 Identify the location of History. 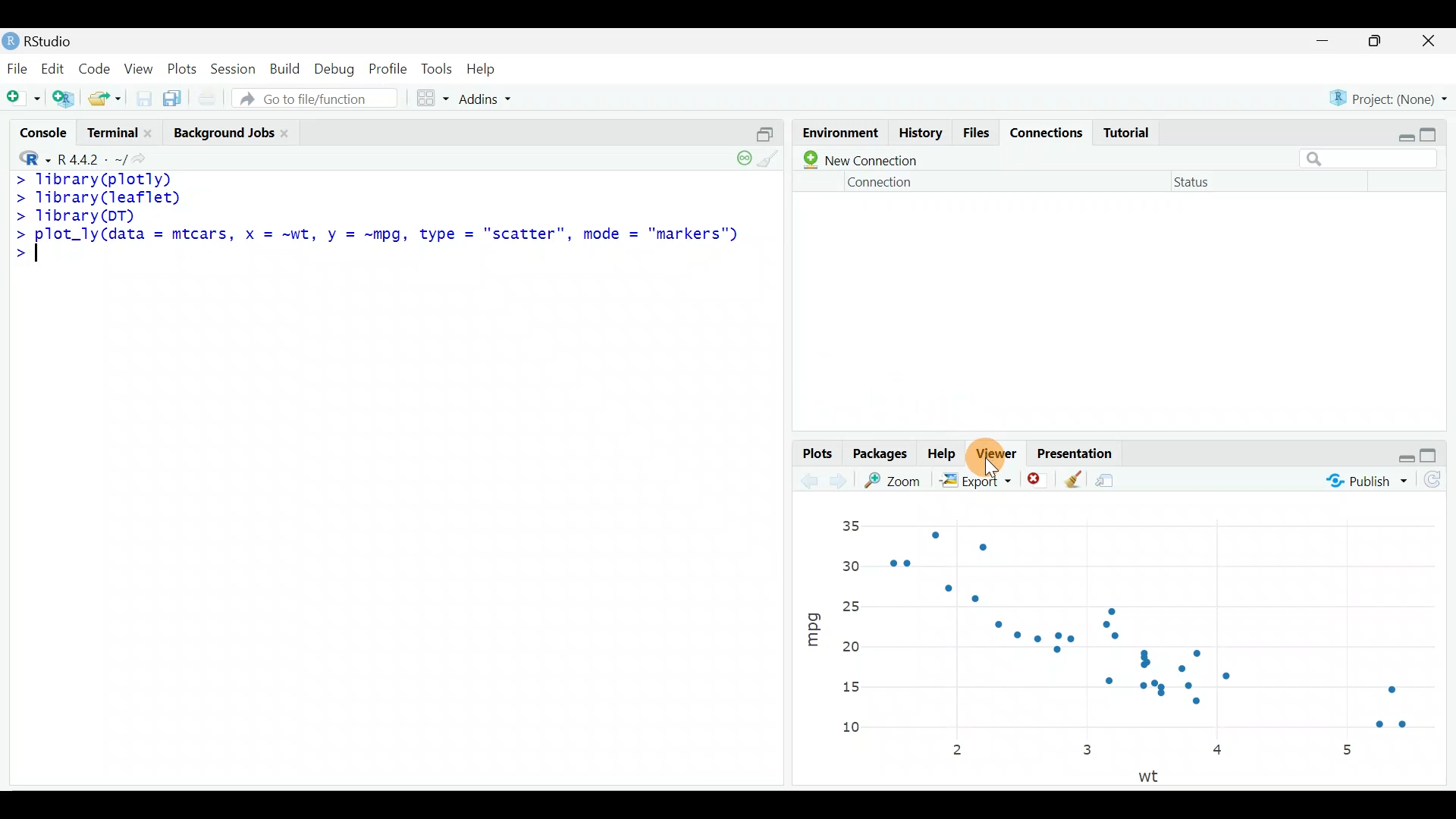
(918, 133).